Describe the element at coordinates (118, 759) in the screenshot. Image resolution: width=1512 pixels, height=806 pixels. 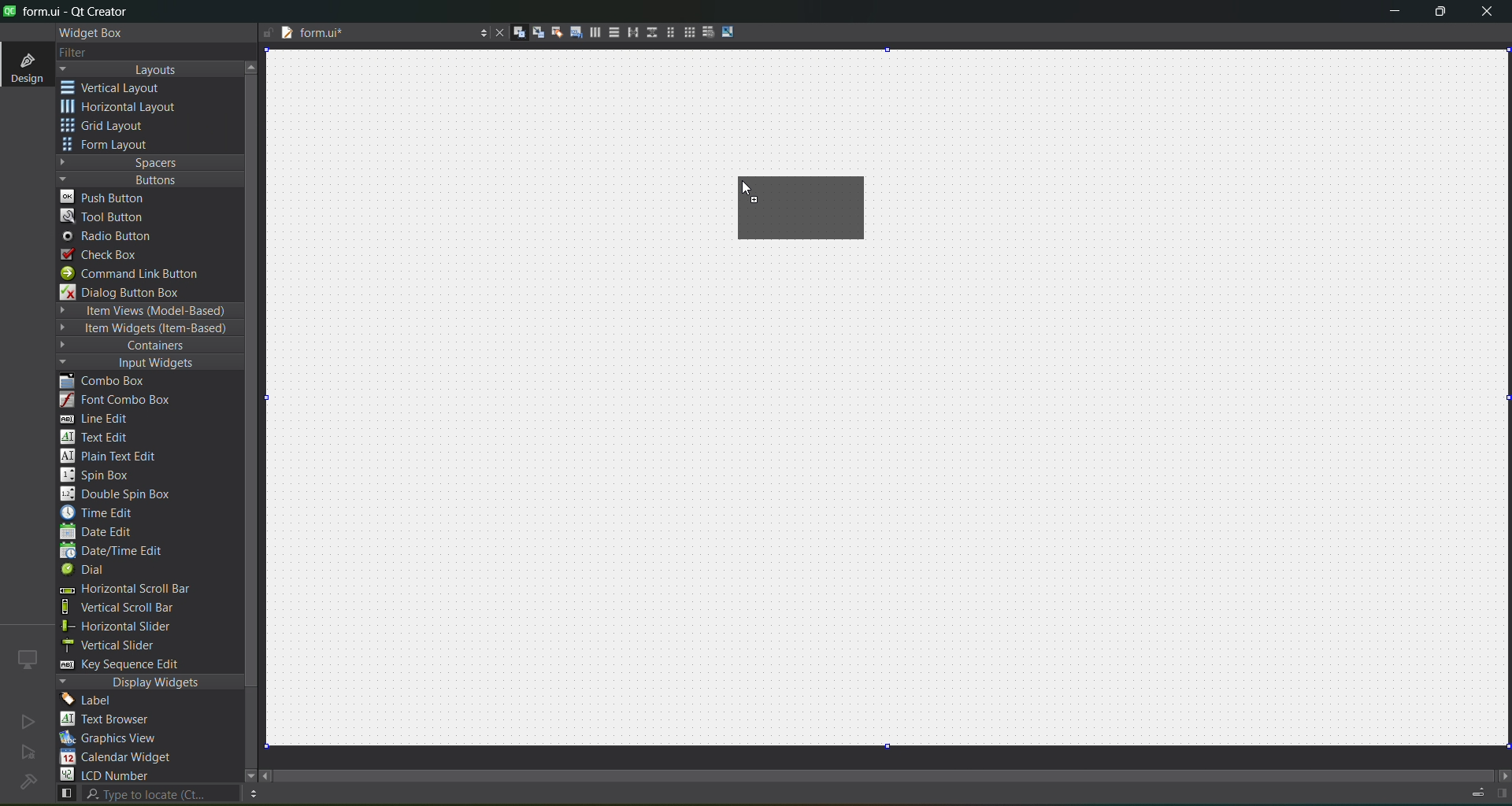
I see `calendar` at that location.